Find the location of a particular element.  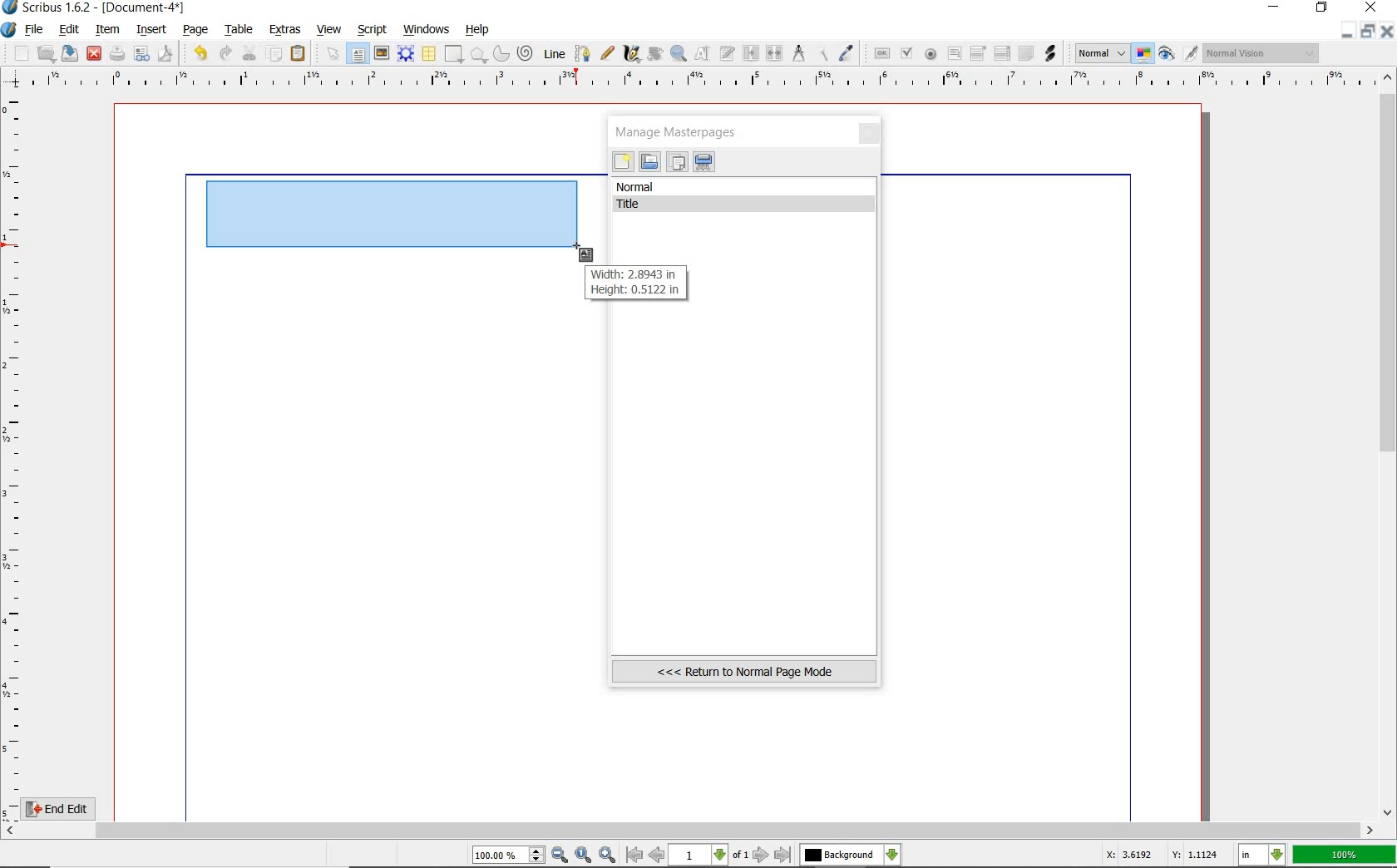

render frame is located at coordinates (406, 53).